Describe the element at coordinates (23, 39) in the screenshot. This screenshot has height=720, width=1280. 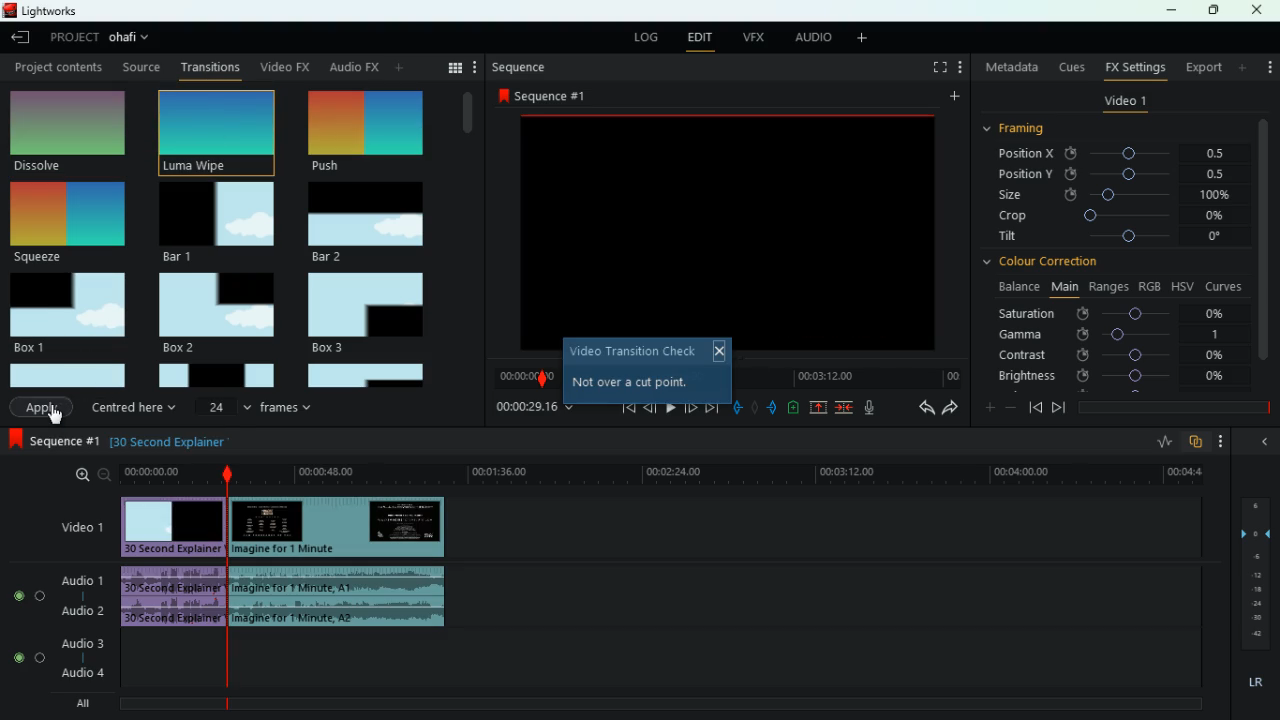
I see `back` at that location.